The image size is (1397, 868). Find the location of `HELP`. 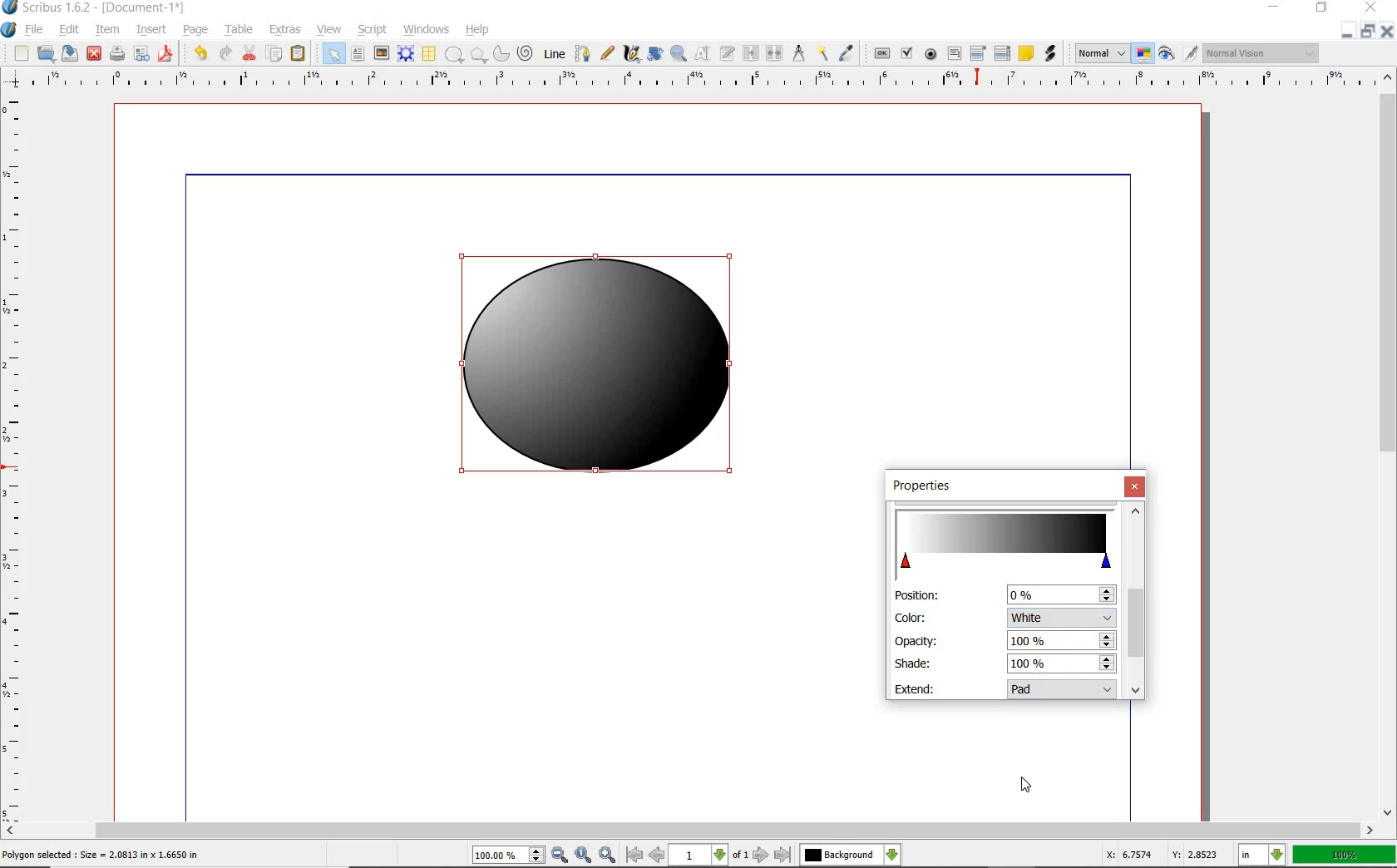

HELP is located at coordinates (481, 28).